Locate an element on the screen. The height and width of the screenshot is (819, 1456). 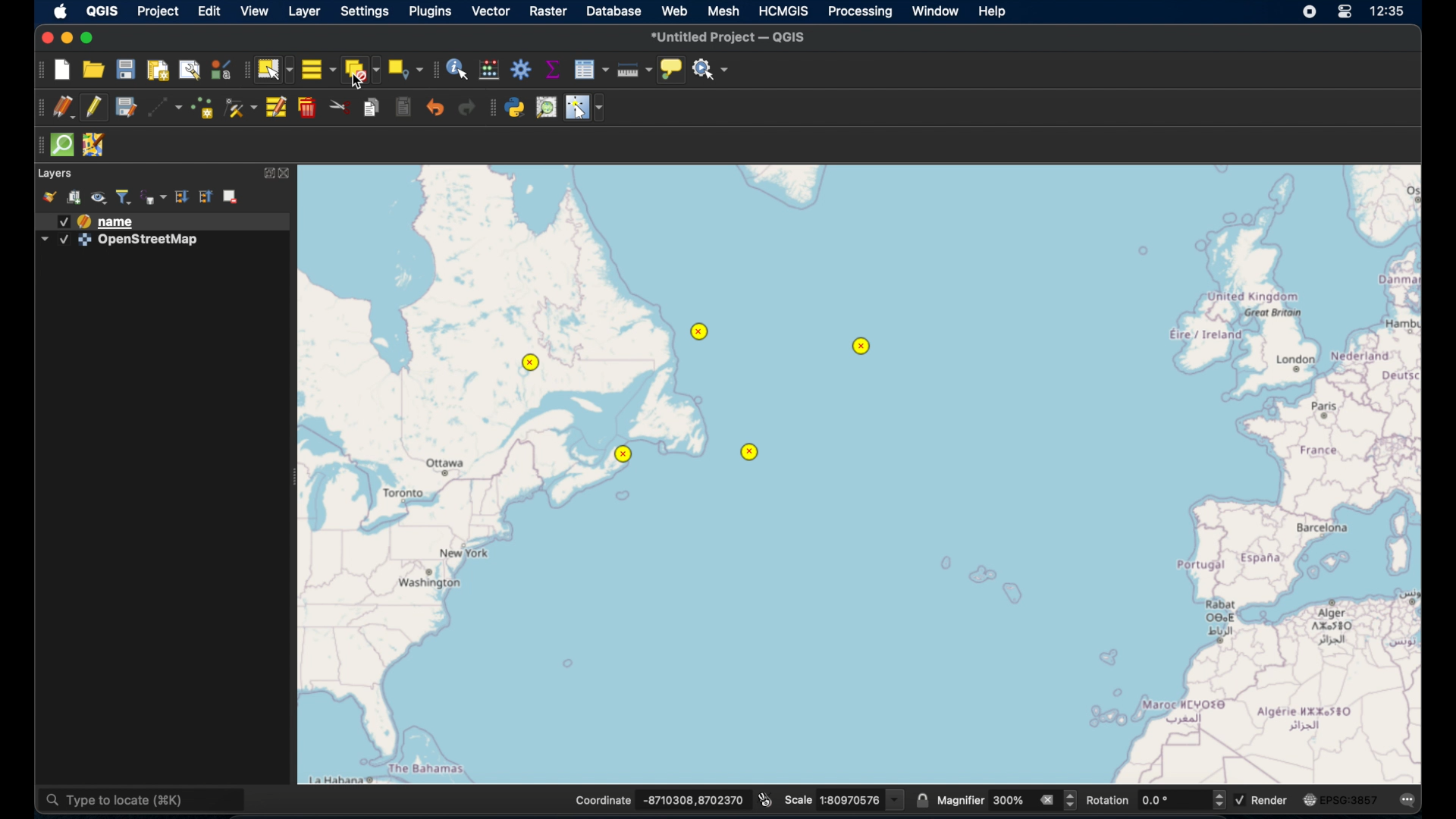
name is located at coordinates (118, 222).